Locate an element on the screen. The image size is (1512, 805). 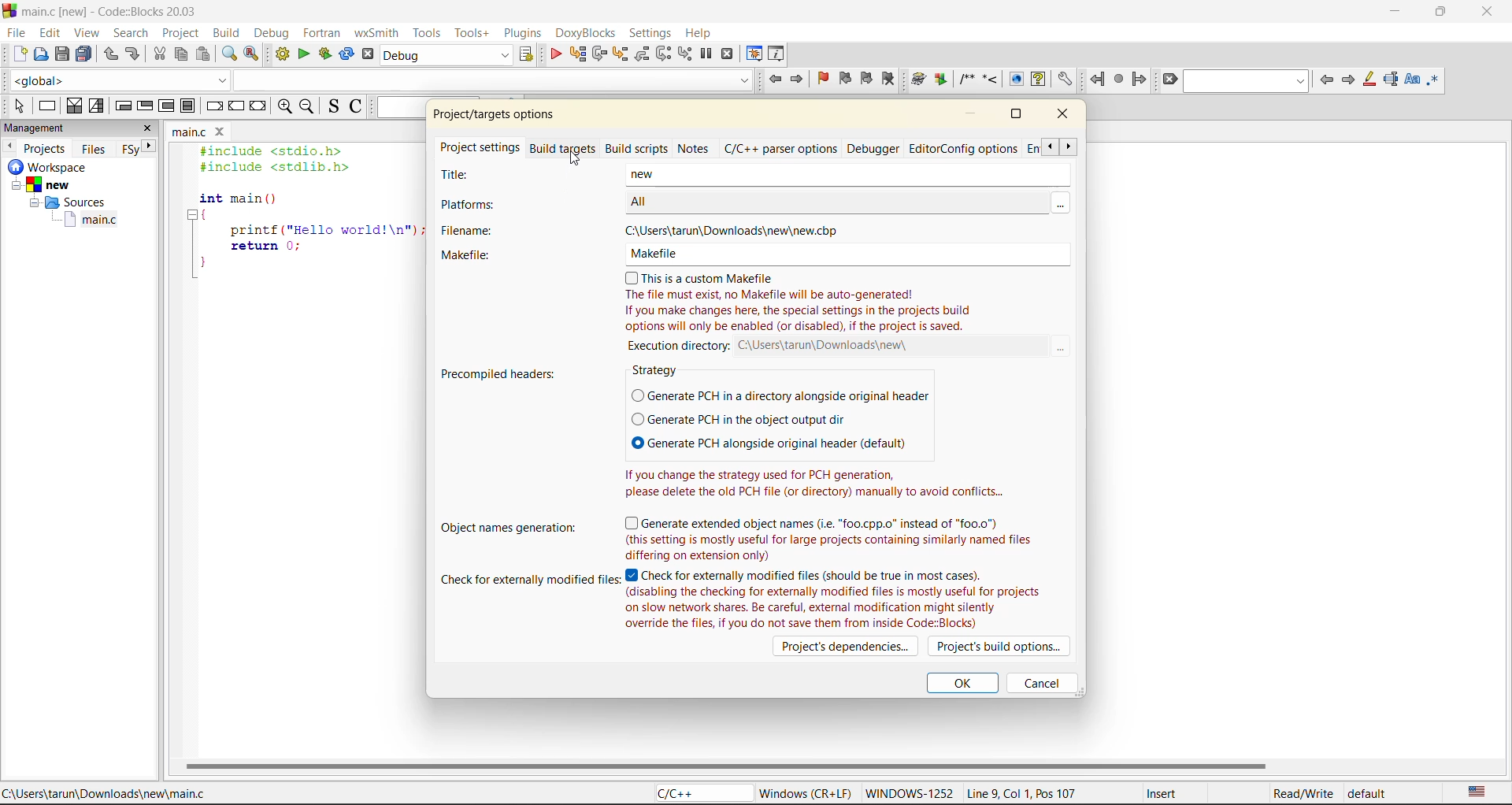
cut is located at coordinates (160, 54).